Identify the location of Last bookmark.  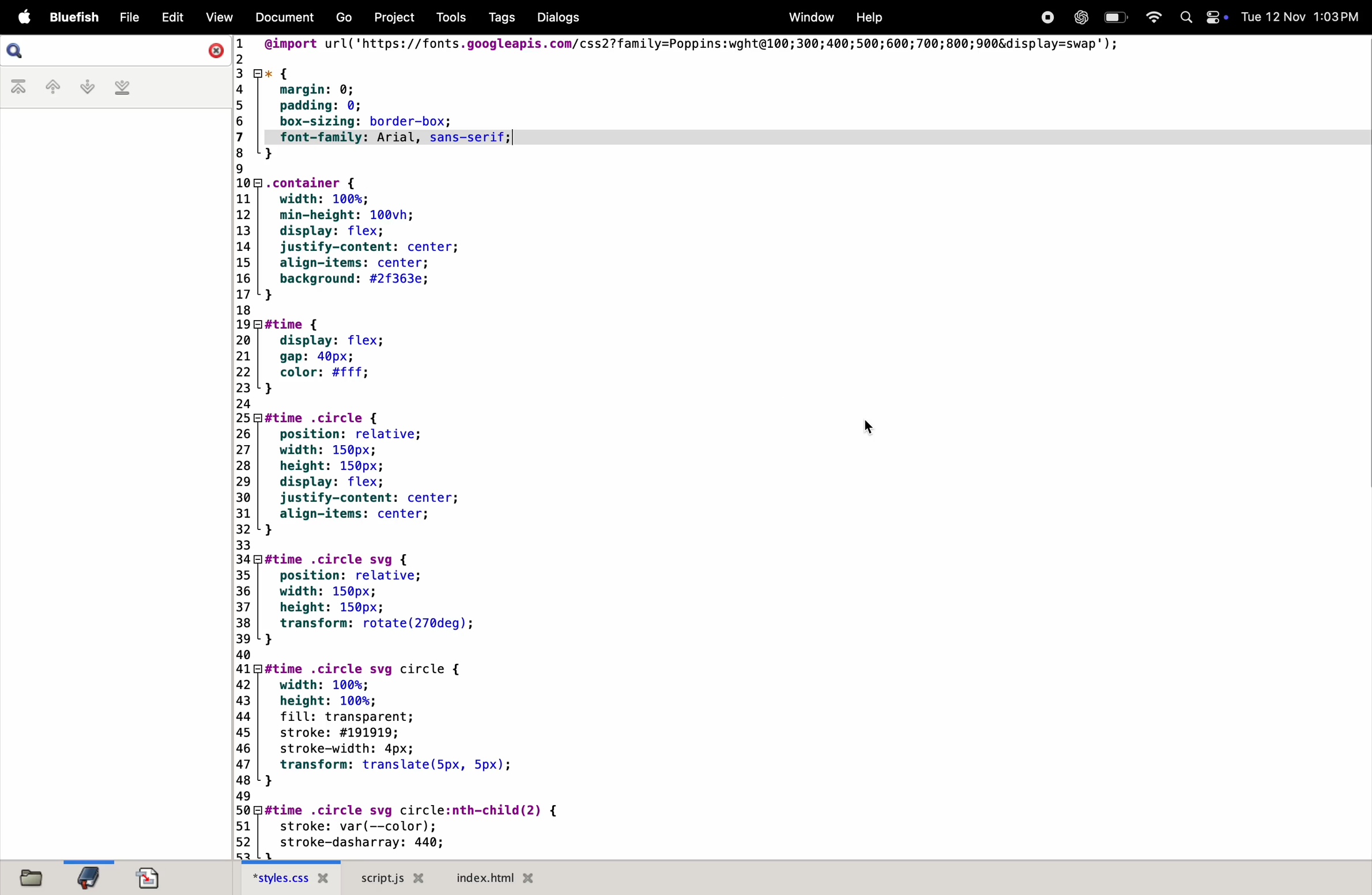
(125, 88).